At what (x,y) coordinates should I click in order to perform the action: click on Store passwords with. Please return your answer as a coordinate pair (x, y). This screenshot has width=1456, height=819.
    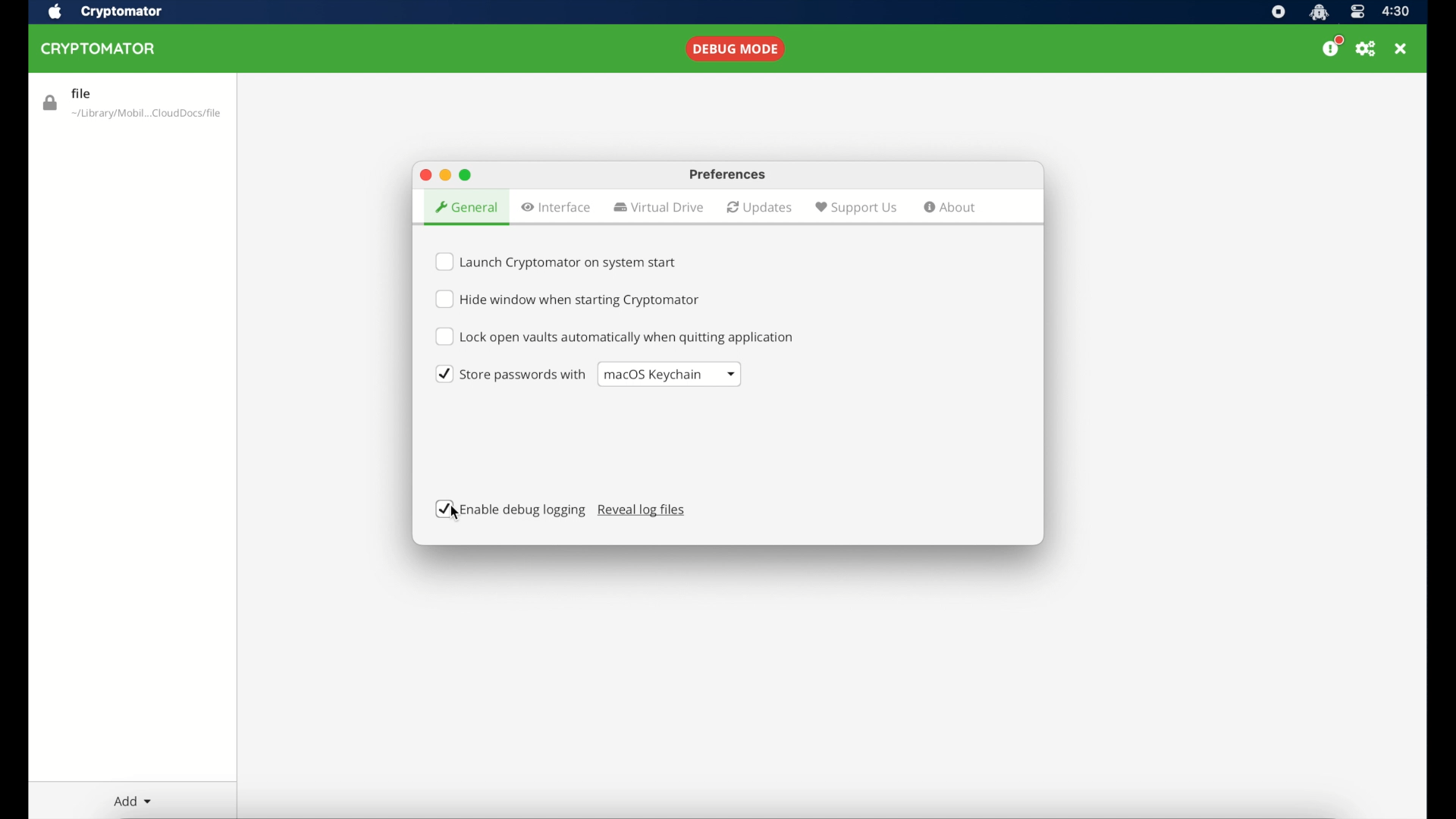
    Looking at the image, I should click on (506, 375).